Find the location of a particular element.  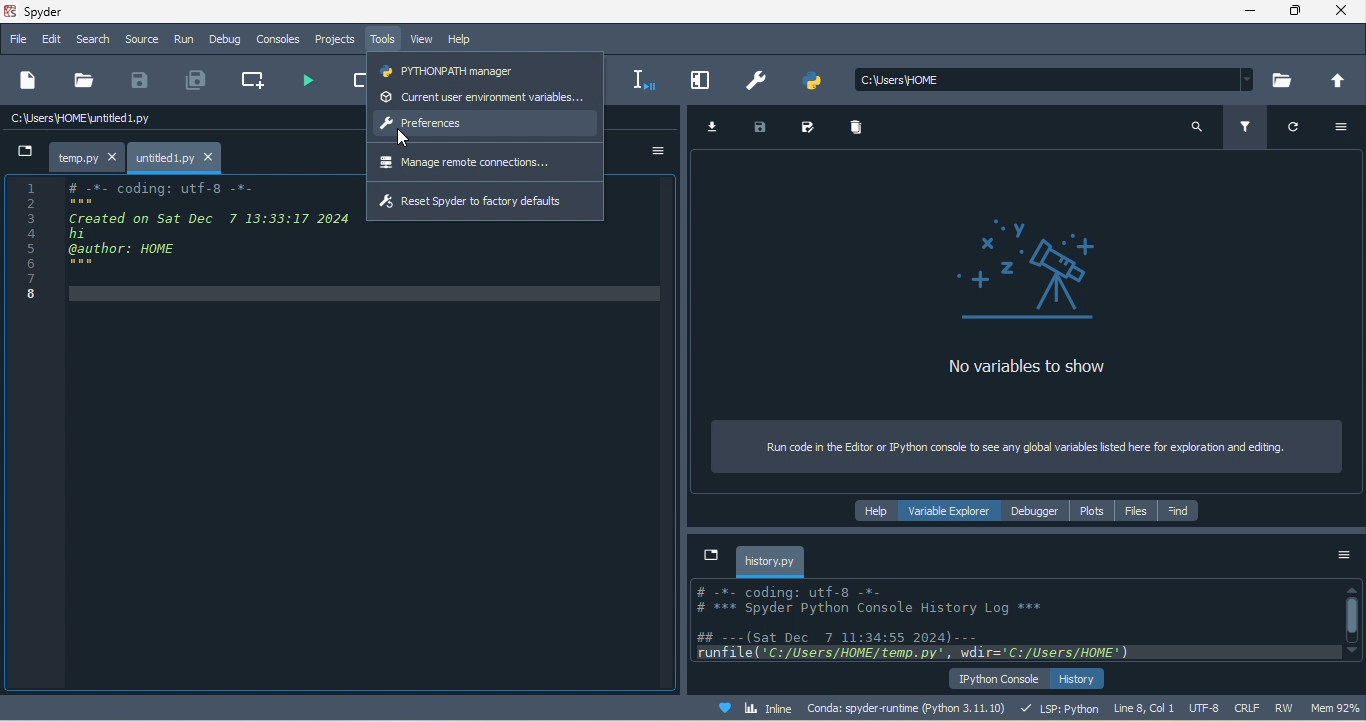

refresh is located at coordinates (1289, 130).